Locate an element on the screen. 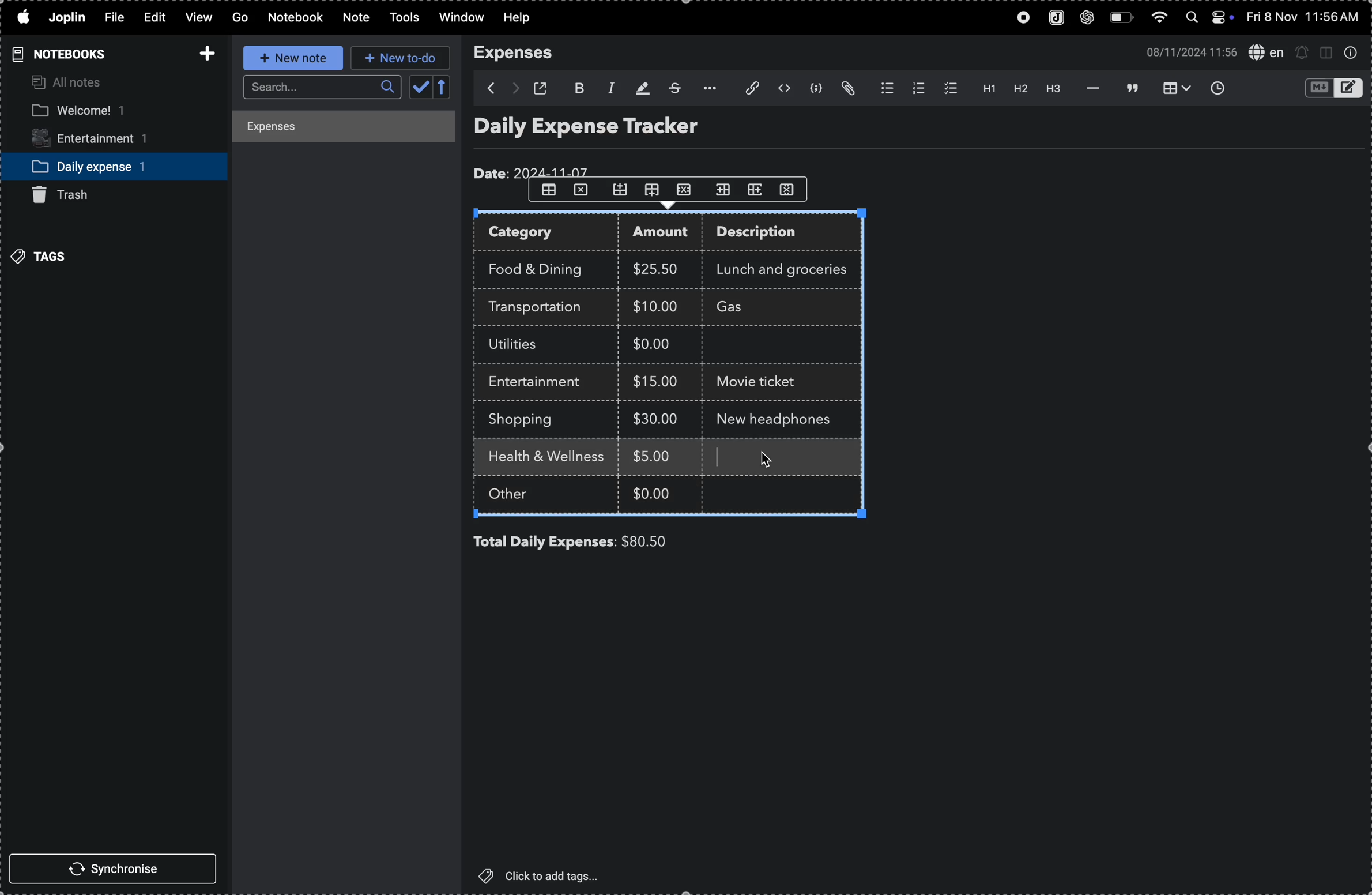 The width and height of the screenshot is (1372, 895). insert time is located at coordinates (1216, 88).